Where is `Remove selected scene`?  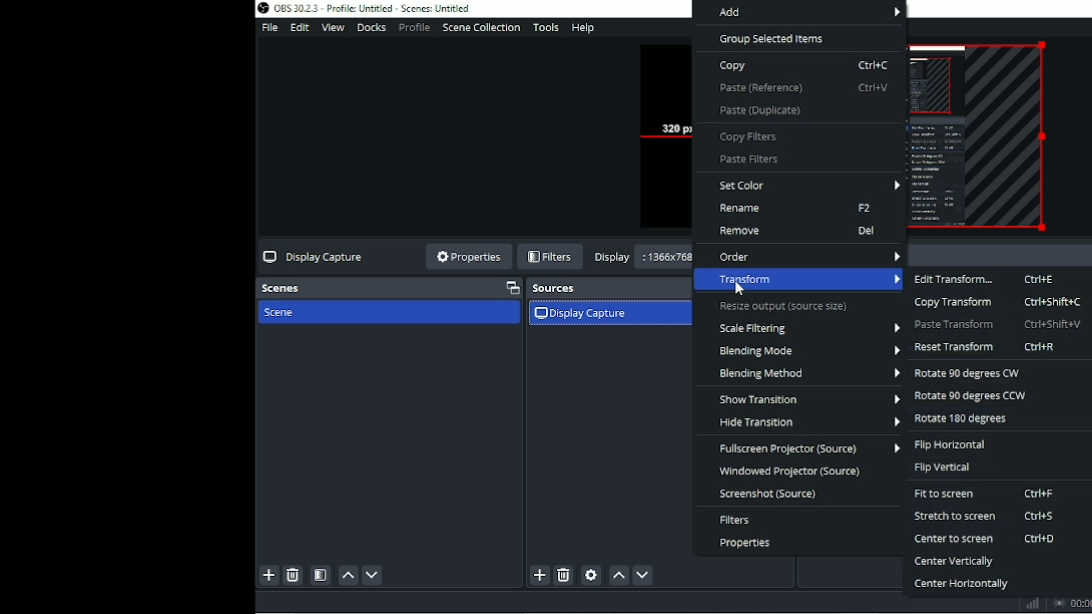
Remove selected scene is located at coordinates (293, 576).